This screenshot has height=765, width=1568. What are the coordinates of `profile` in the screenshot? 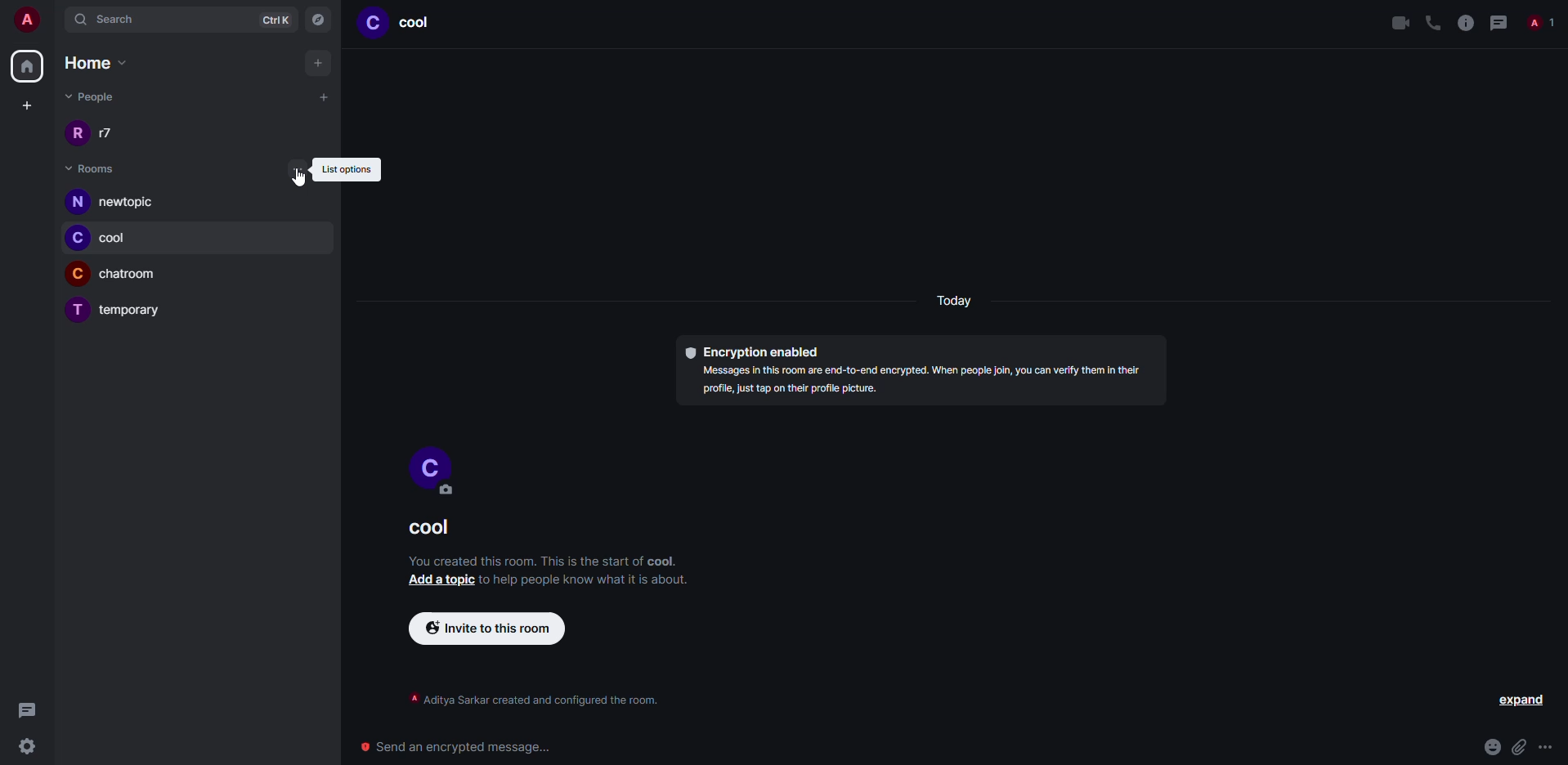 It's located at (76, 202).